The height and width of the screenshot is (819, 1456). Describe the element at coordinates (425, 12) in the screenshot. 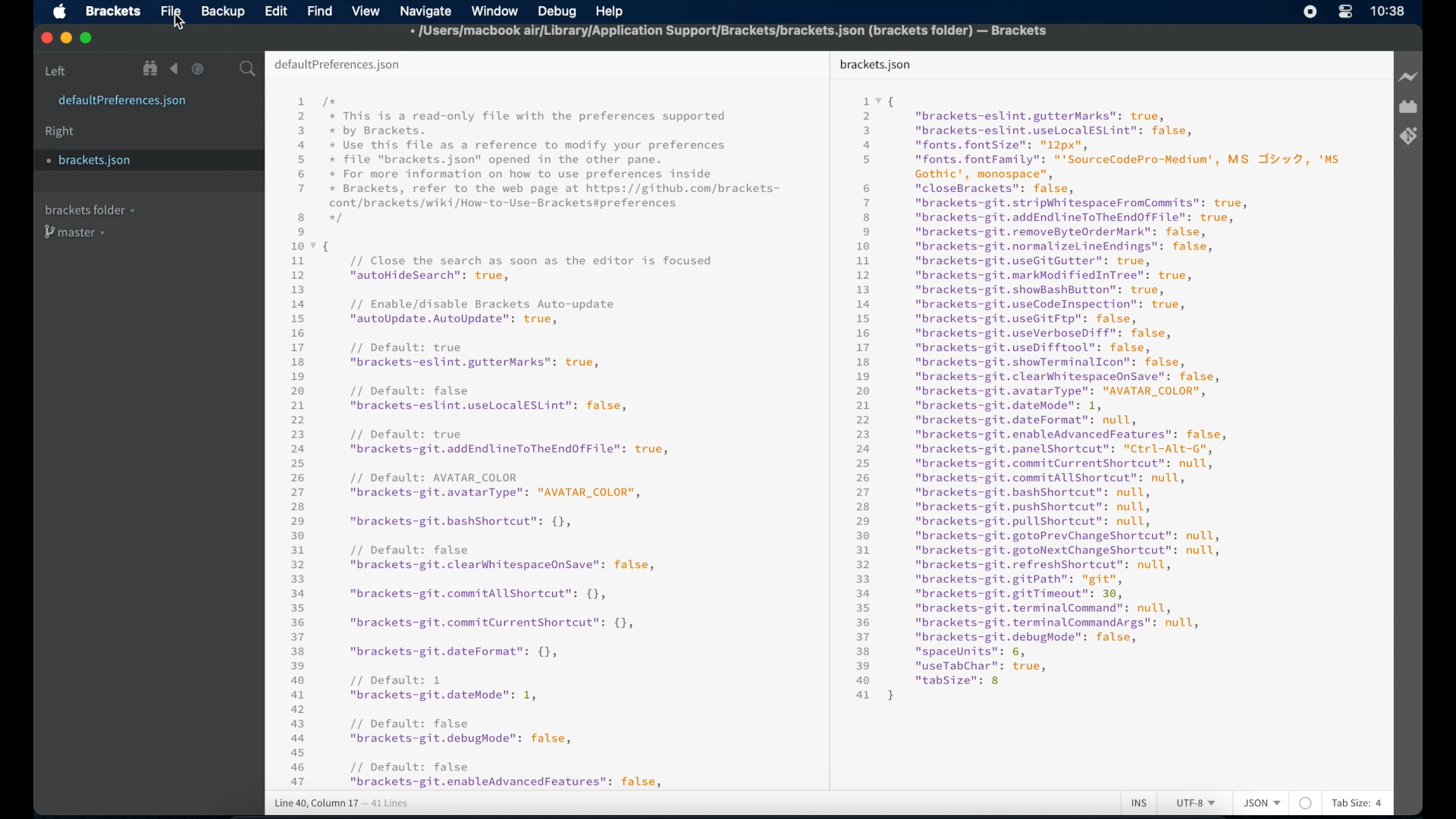

I see `navigate` at that location.